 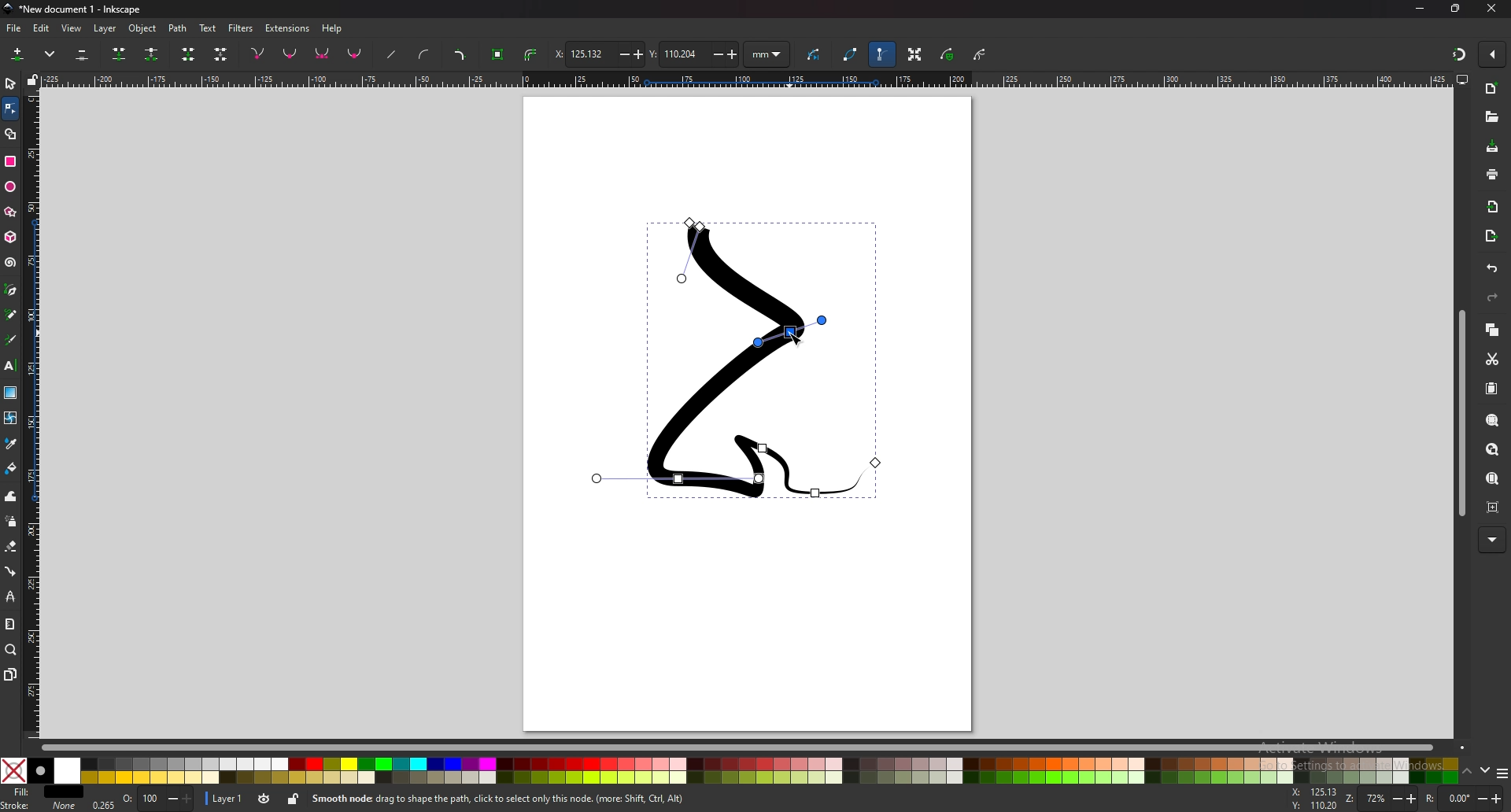 I want to click on shape builder, so click(x=11, y=134).